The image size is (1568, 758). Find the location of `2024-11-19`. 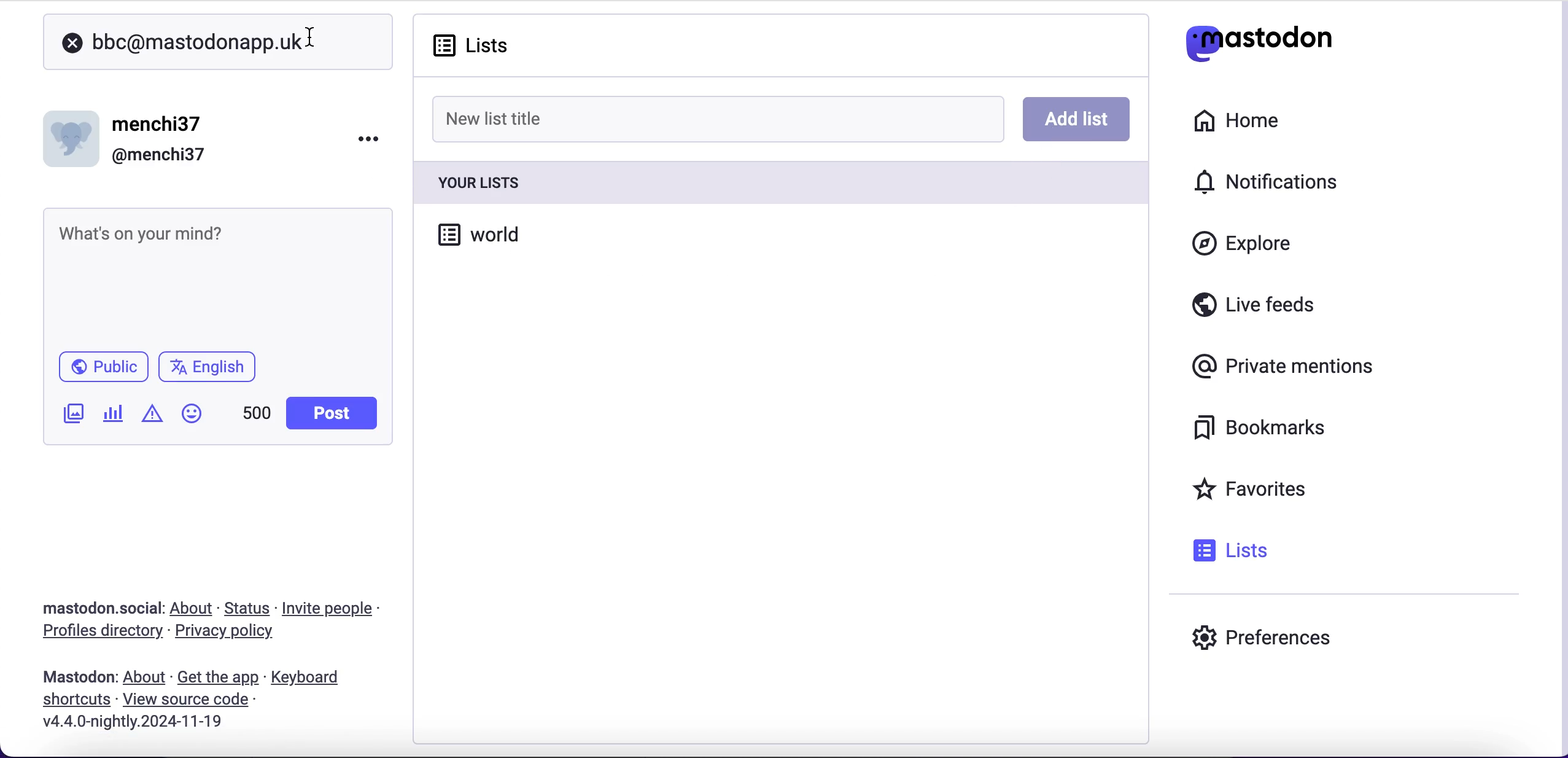

2024-11-19 is located at coordinates (142, 721).